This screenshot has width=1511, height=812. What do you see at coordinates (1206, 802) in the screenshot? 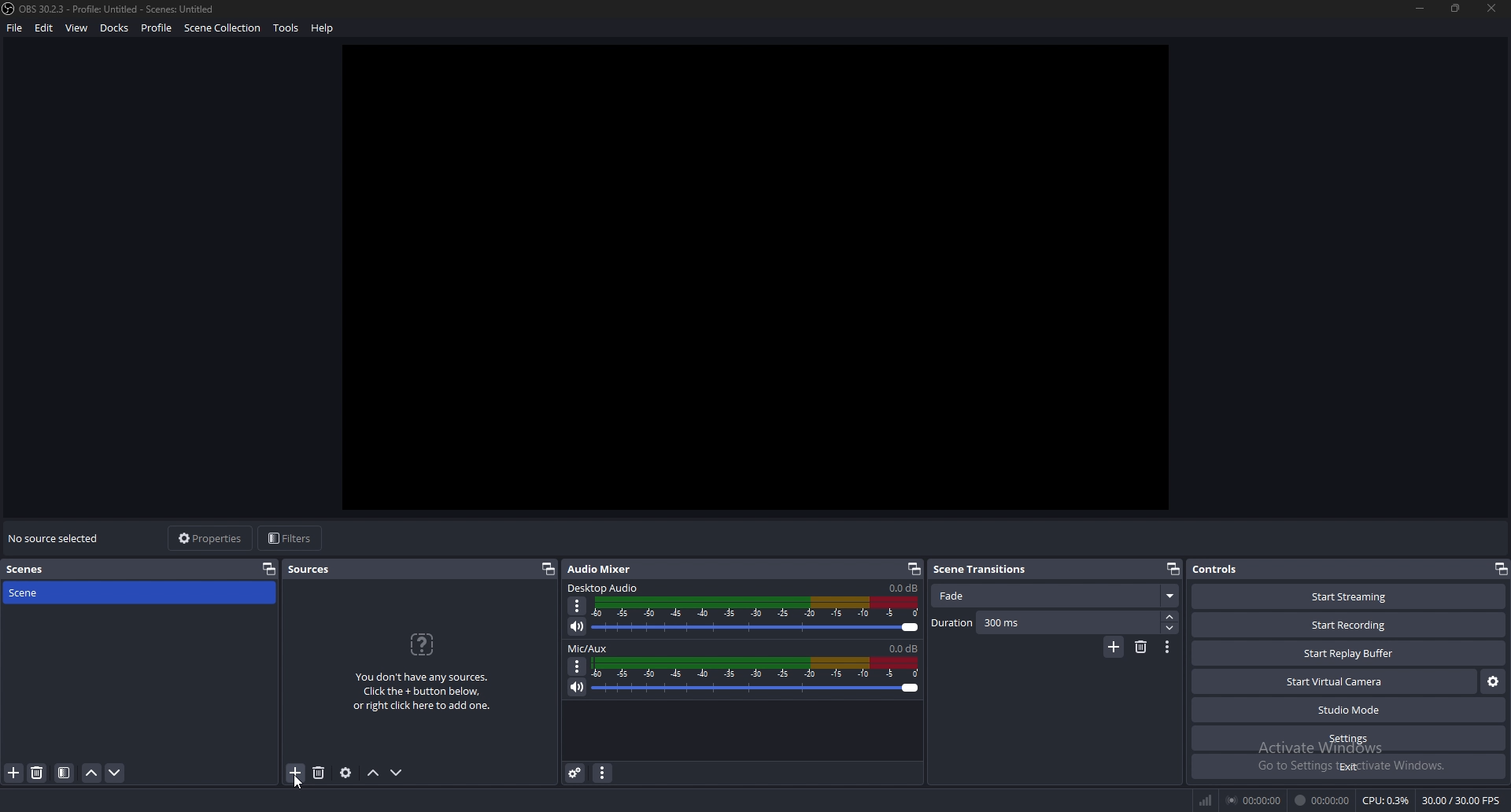
I see `network` at bounding box center [1206, 802].